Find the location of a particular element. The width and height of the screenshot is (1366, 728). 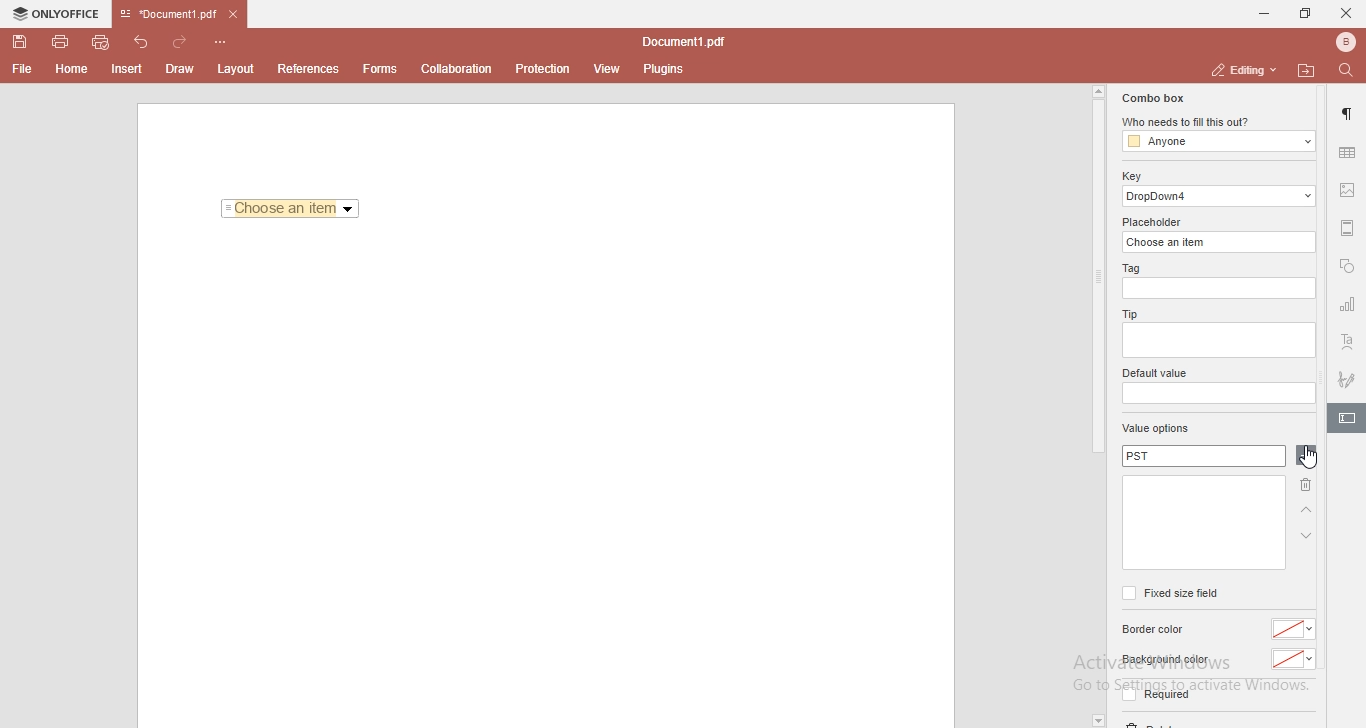

dropdown is located at coordinates (1097, 720).